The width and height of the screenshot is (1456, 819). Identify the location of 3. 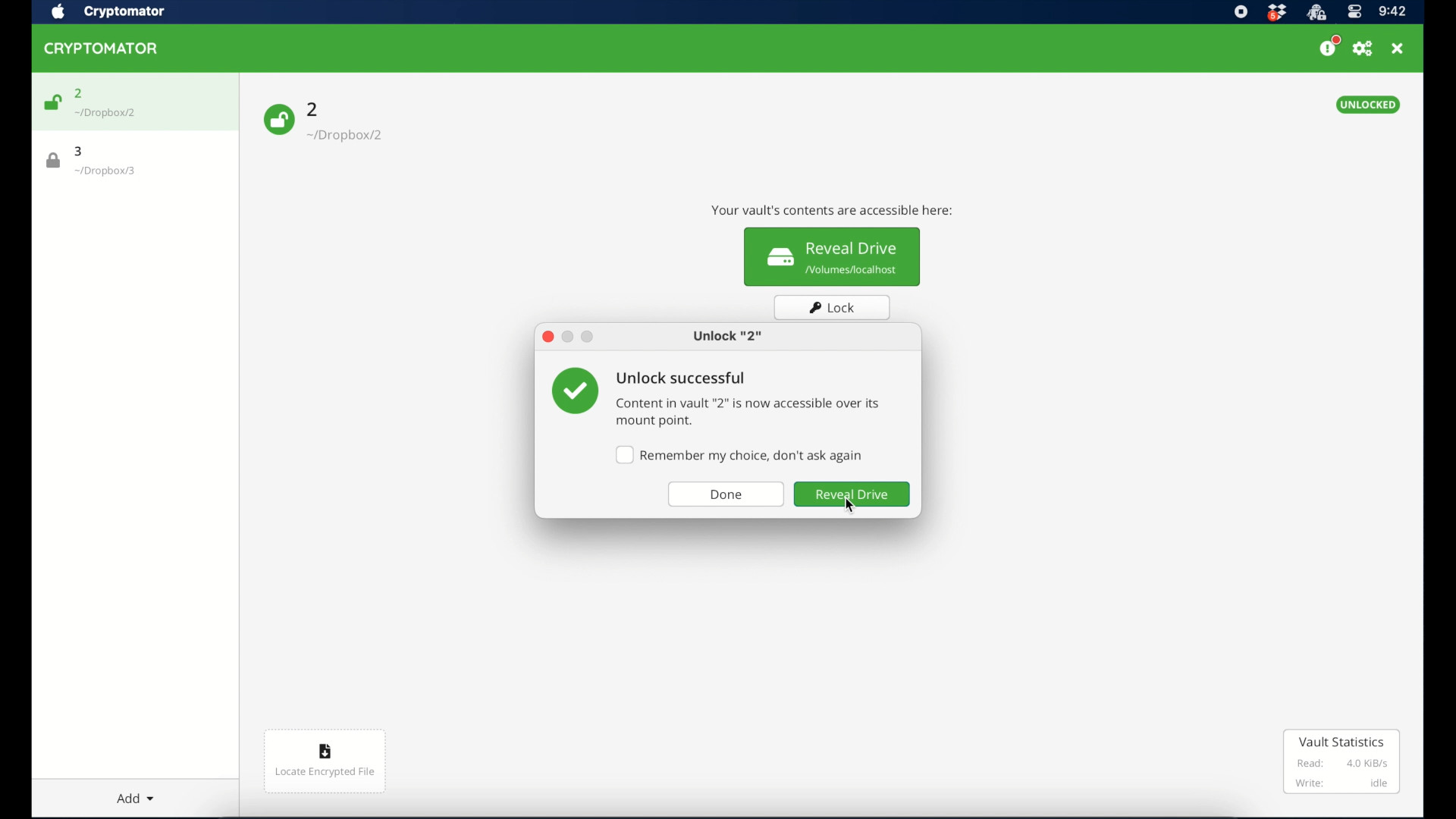
(80, 151).